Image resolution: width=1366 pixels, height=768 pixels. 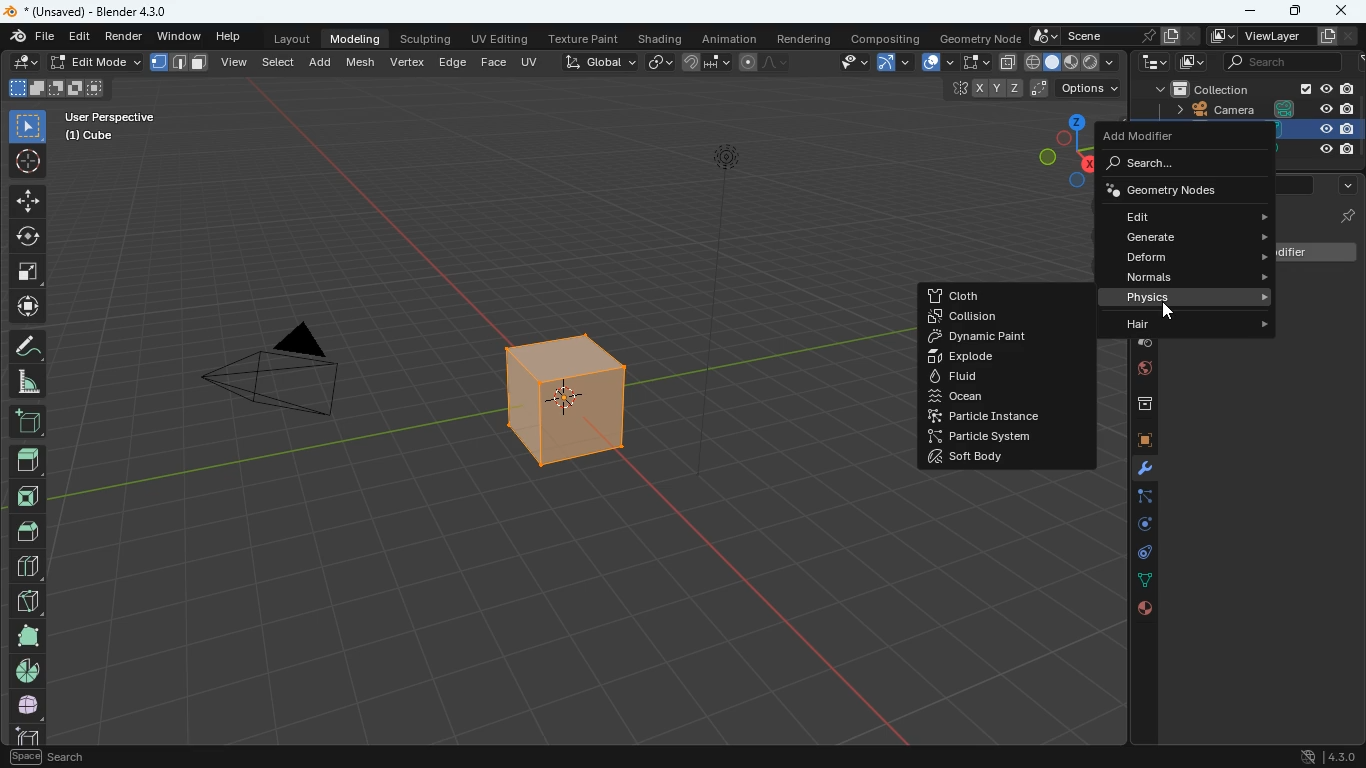 I want to click on hair, so click(x=1202, y=327).